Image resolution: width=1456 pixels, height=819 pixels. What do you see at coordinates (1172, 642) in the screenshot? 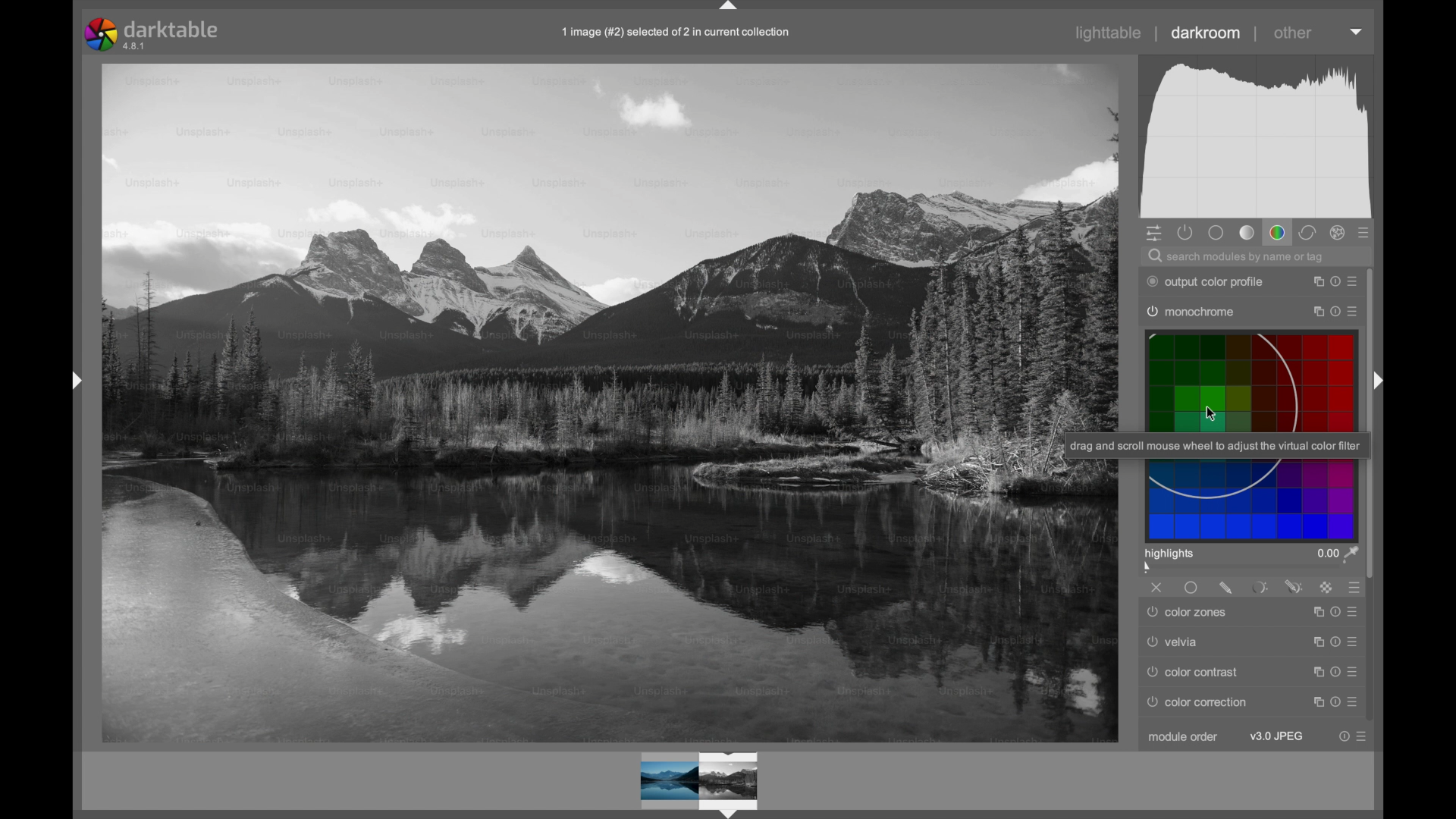
I see `velvia` at bounding box center [1172, 642].